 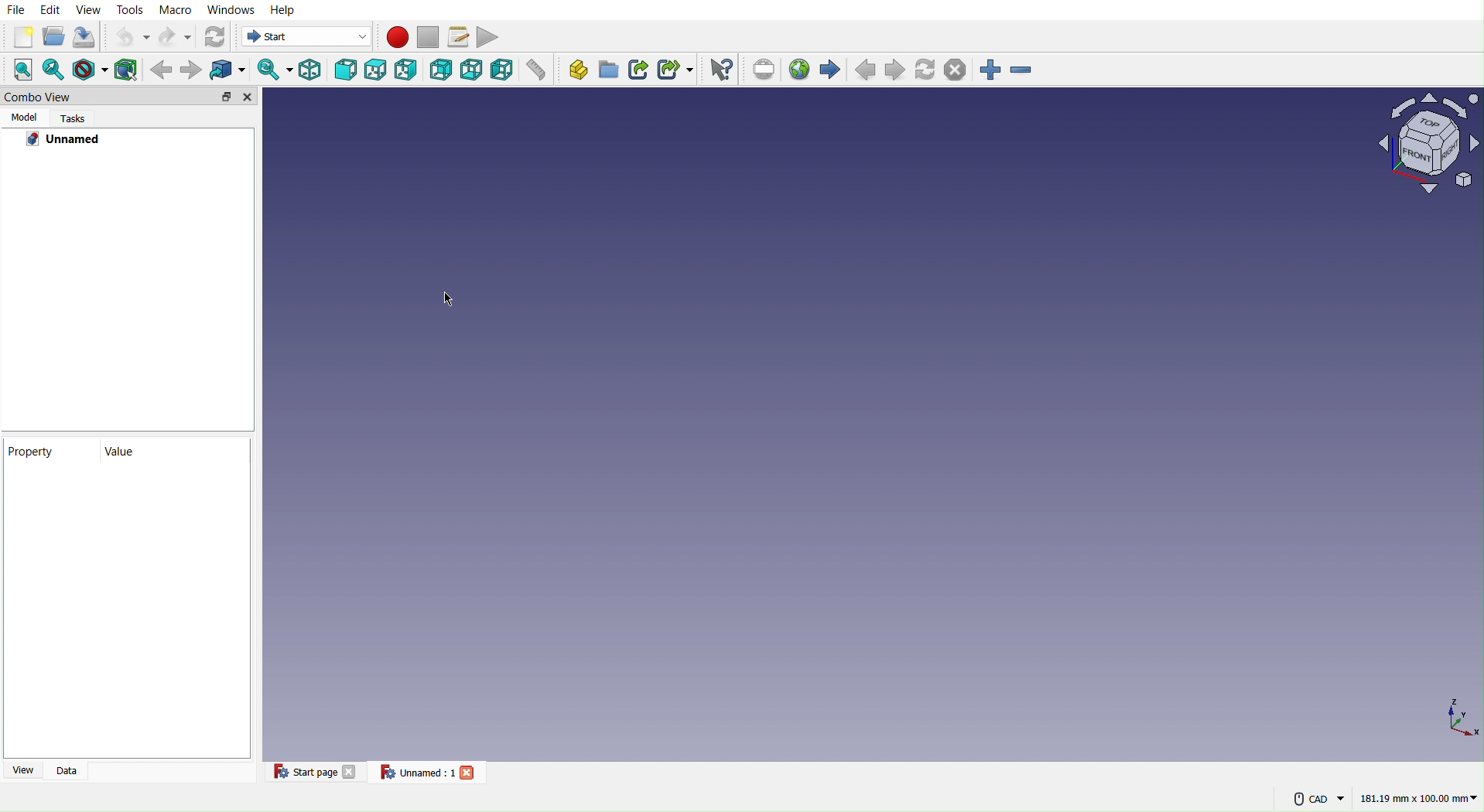 I want to click on Display the start of browser view, so click(x=833, y=67).